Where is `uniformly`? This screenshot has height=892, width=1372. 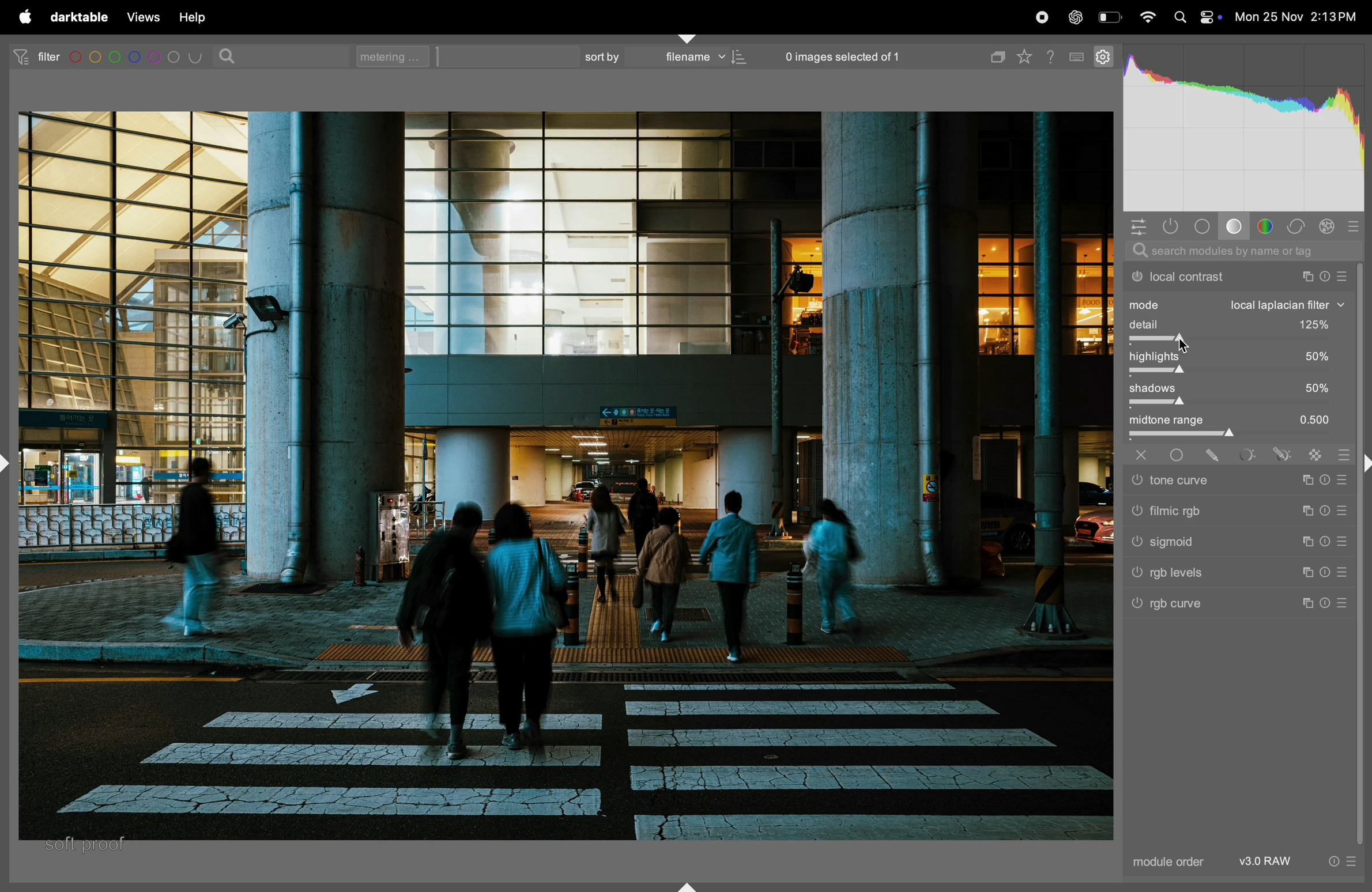 uniformly is located at coordinates (1178, 456).